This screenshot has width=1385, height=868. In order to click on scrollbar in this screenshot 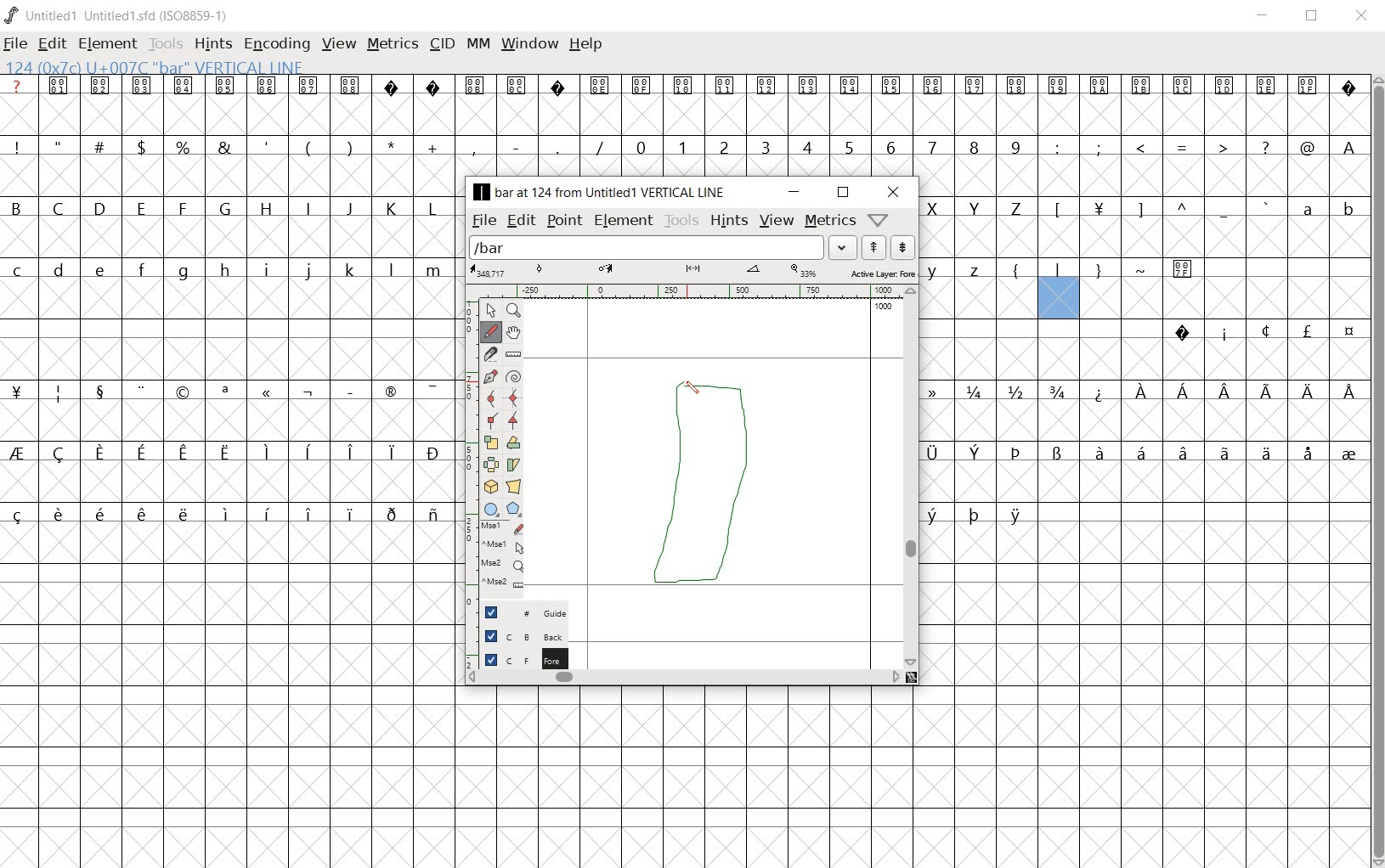, I will do `click(684, 676)`.